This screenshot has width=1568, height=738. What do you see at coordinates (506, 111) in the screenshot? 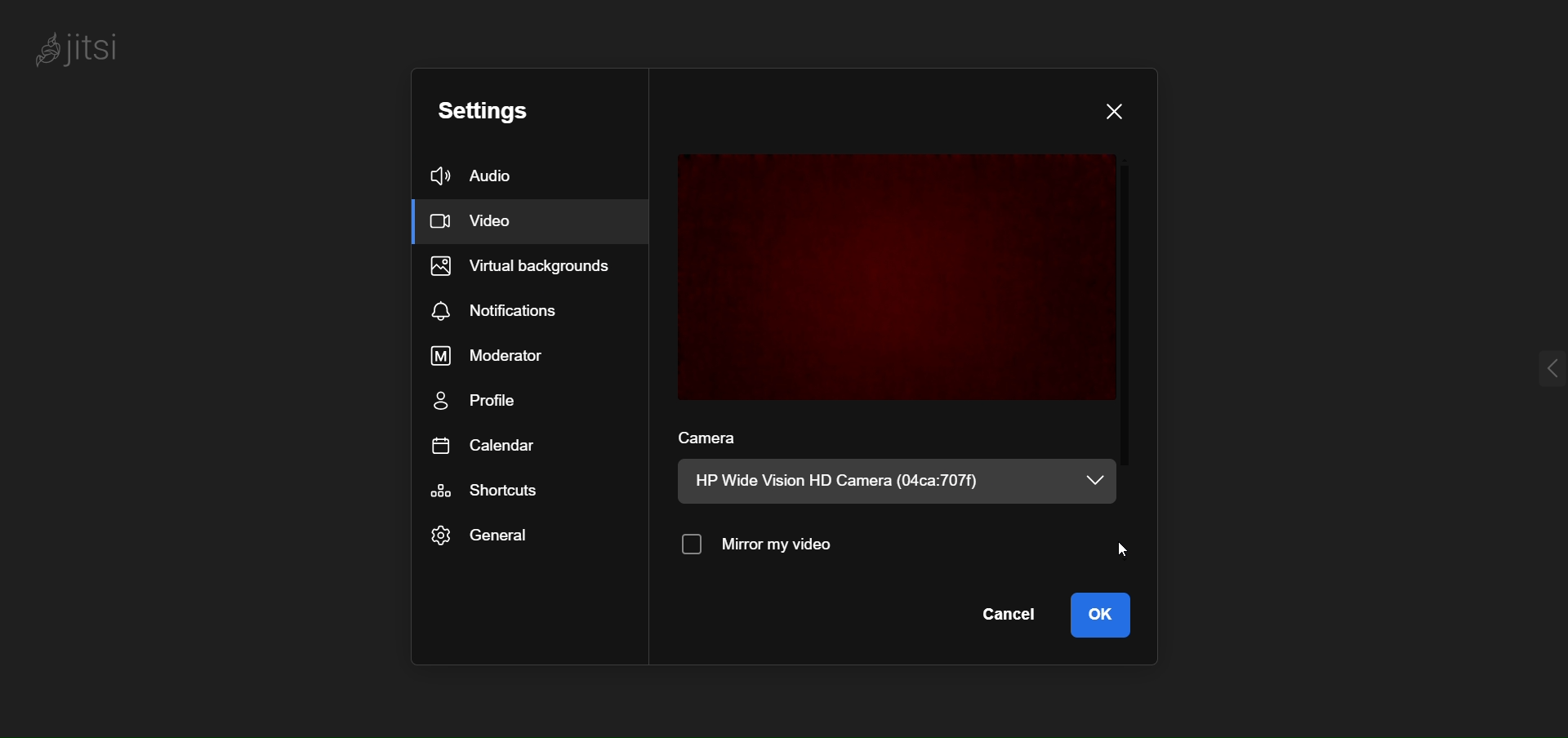
I see `setting` at bounding box center [506, 111].